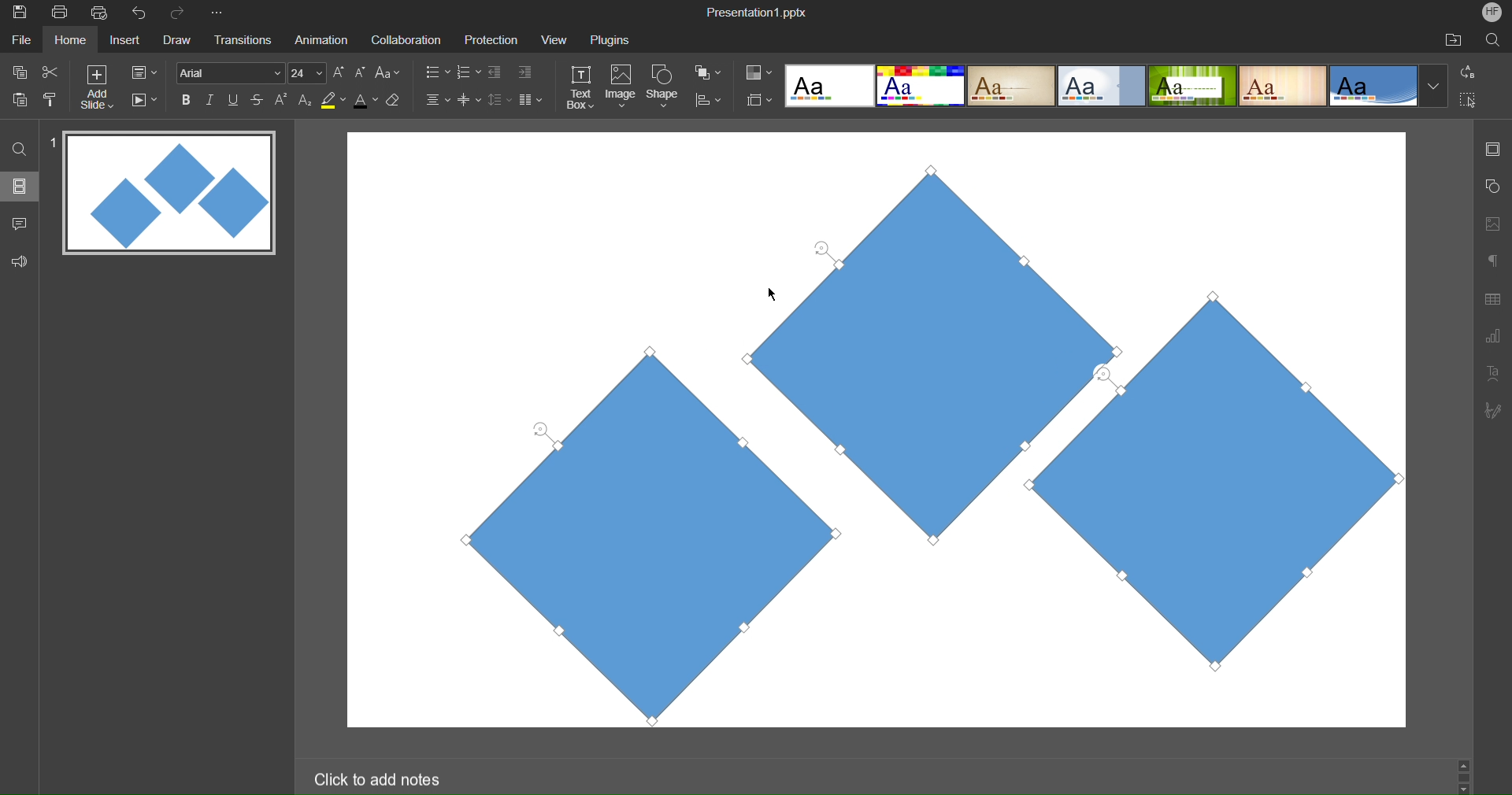 The width and height of the screenshot is (1512, 795). I want to click on search, so click(1495, 39).